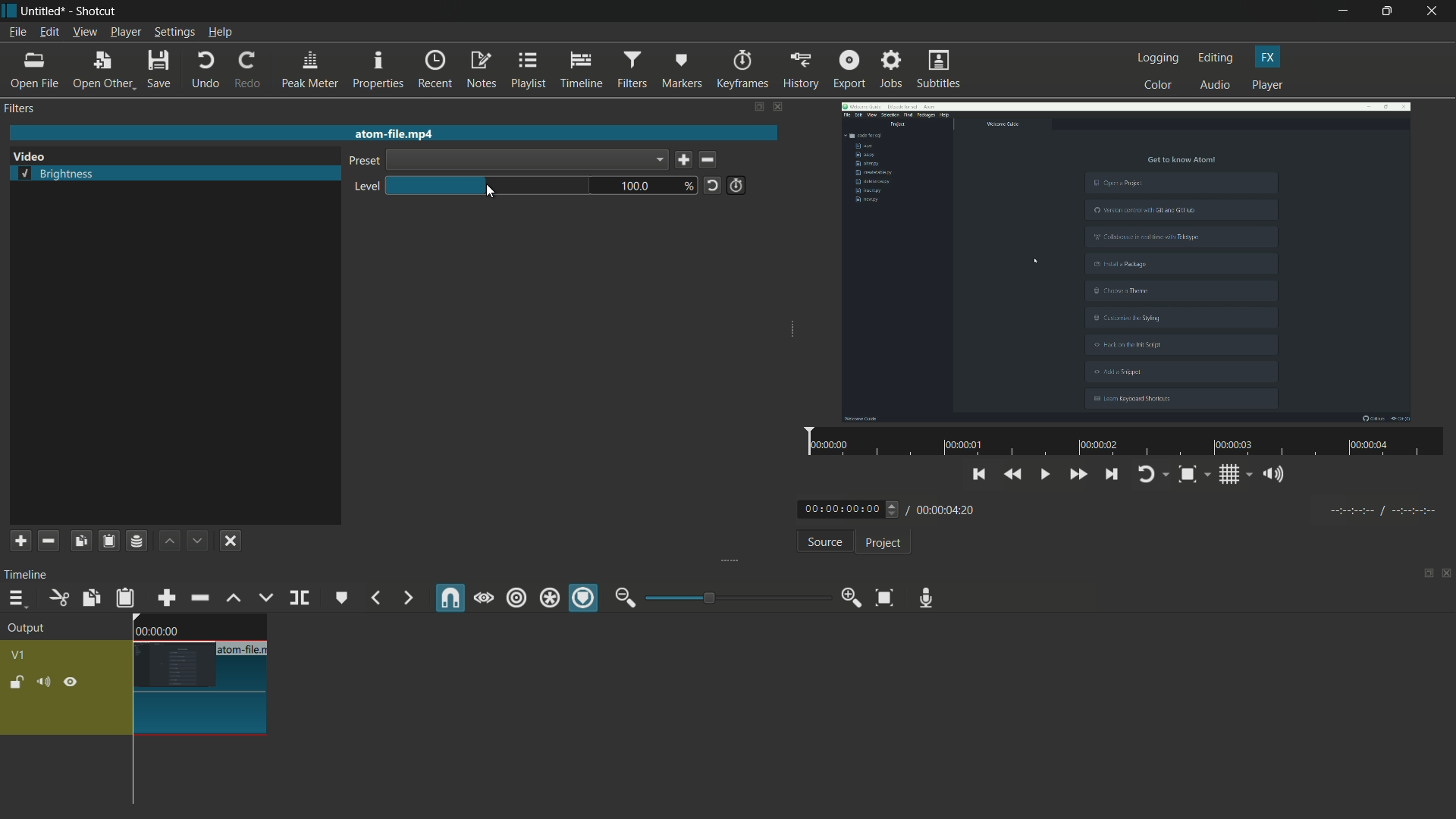  Describe the element at coordinates (1434, 11) in the screenshot. I see `close app` at that location.